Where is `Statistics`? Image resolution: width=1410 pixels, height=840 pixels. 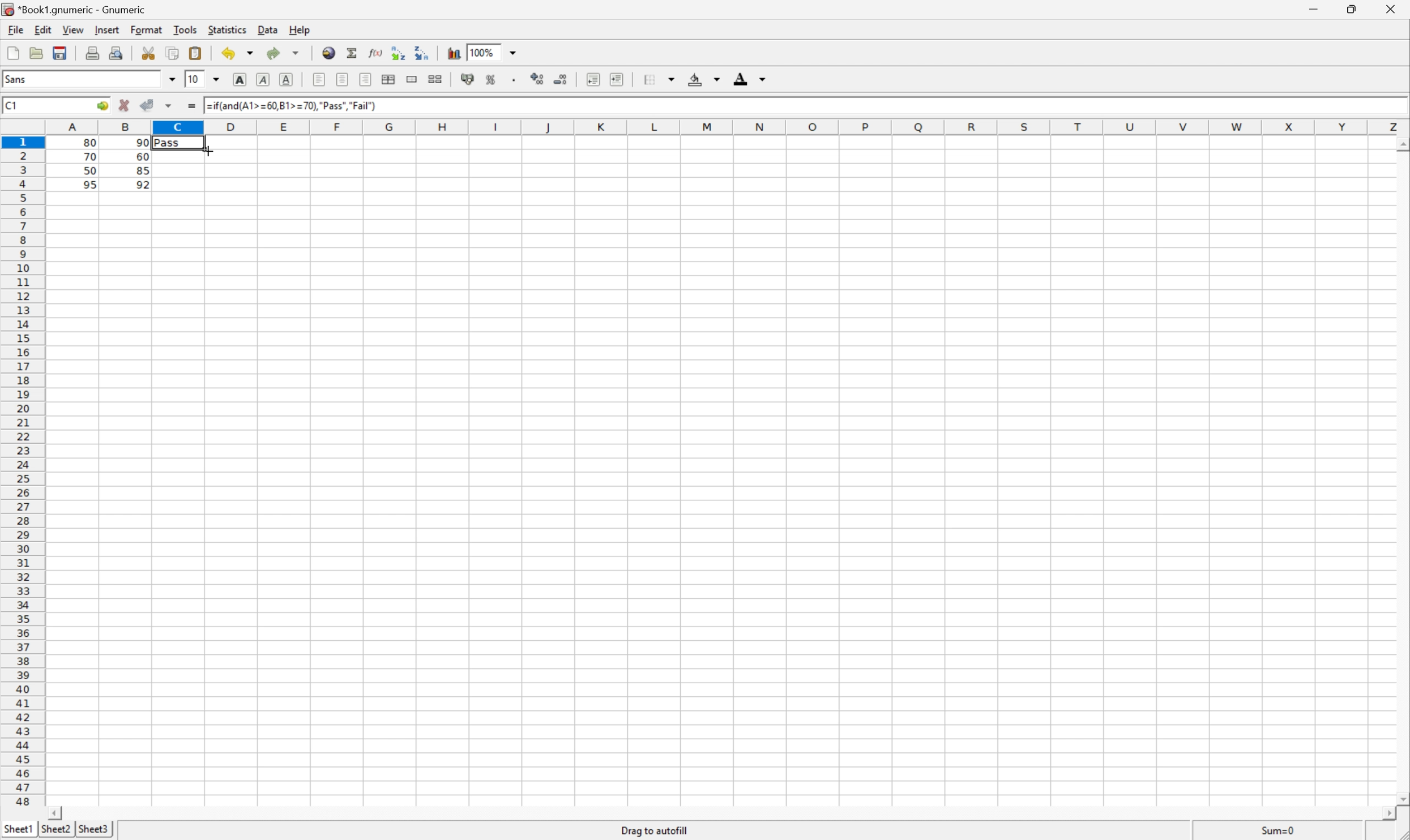 Statistics is located at coordinates (229, 31).